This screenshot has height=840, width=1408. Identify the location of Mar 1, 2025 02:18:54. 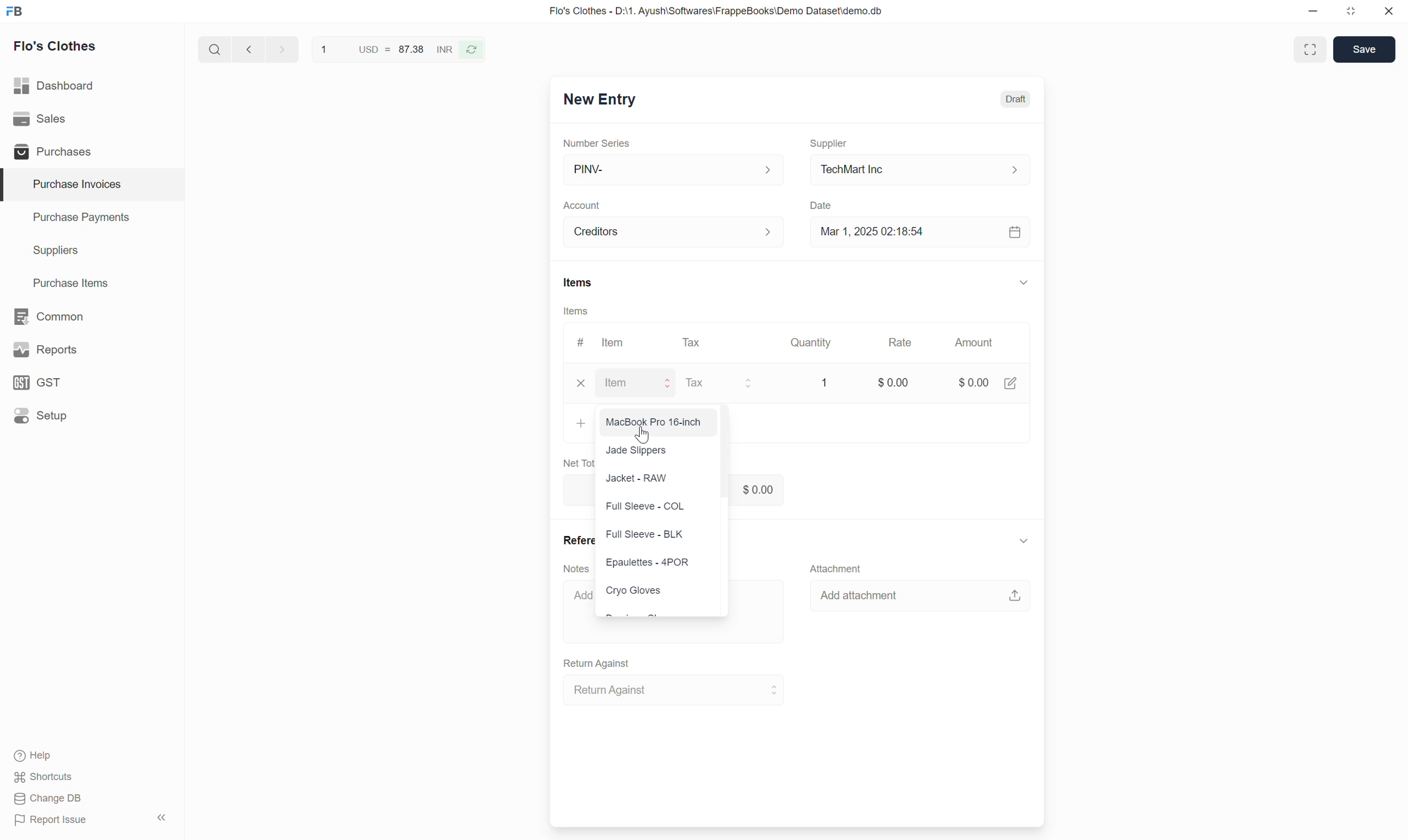
(921, 232).